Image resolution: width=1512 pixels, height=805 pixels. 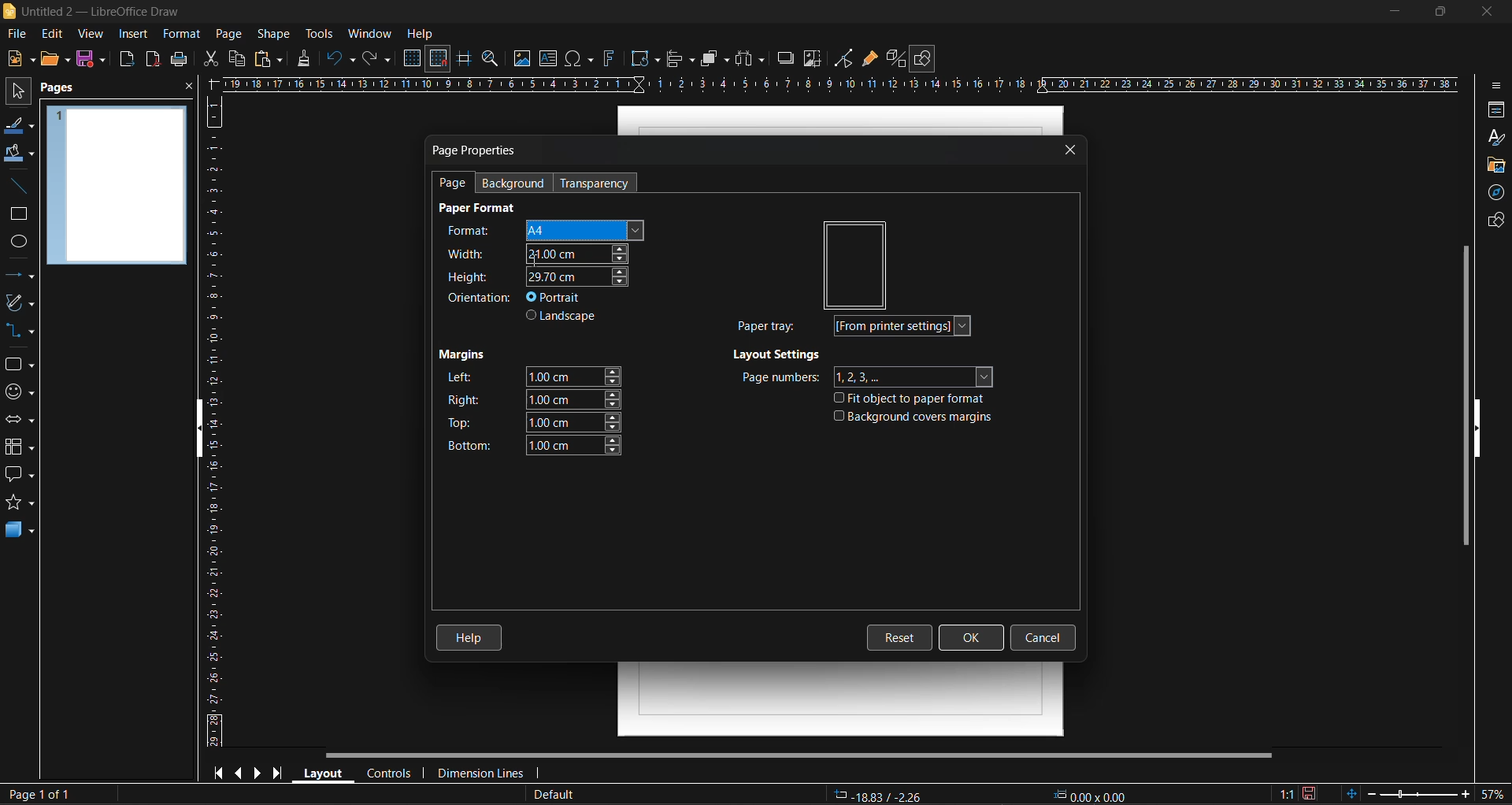 What do you see at coordinates (549, 59) in the screenshot?
I see `textbox` at bounding box center [549, 59].